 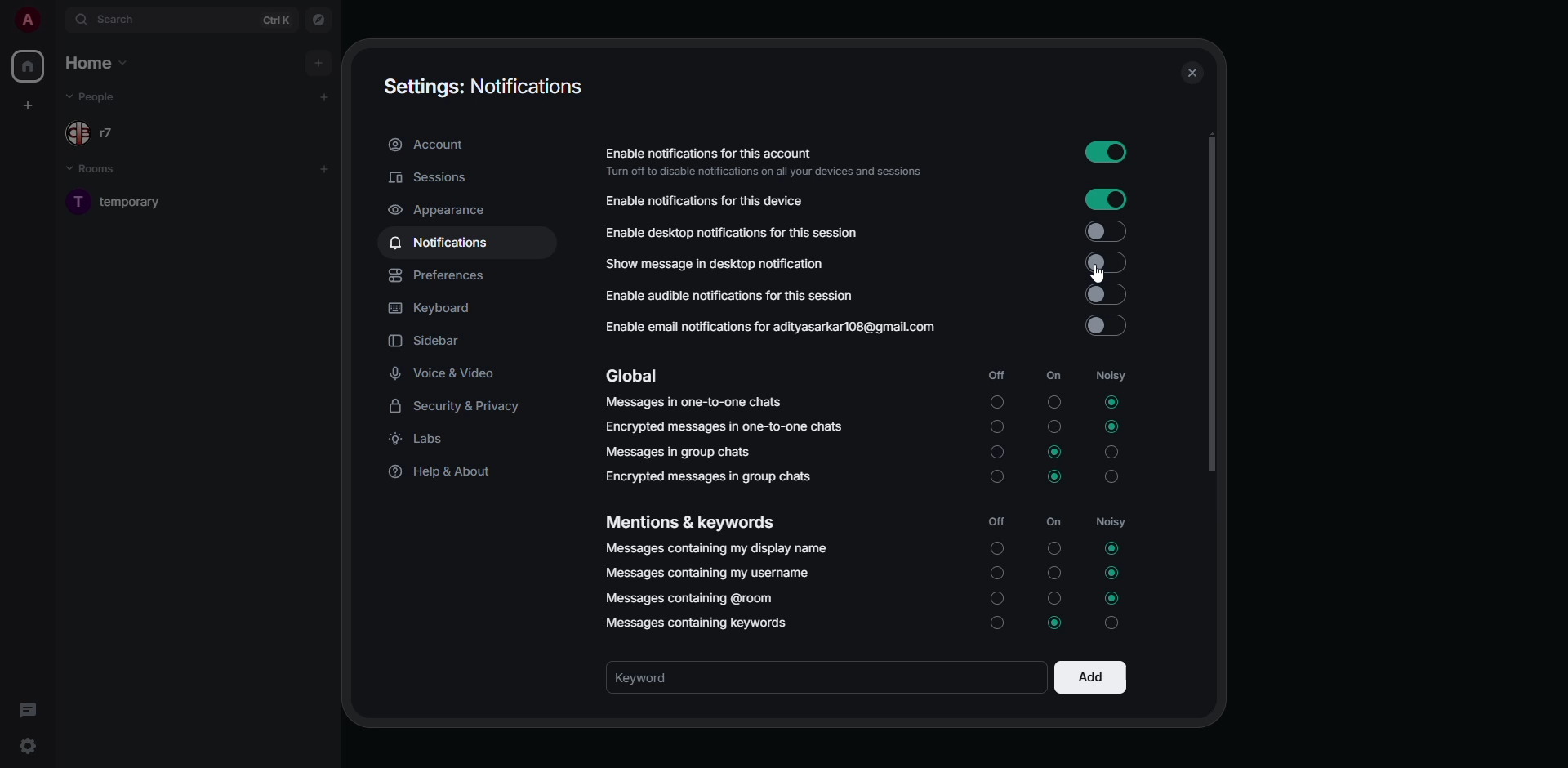 What do you see at coordinates (728, 297) in the screenshot?
I see `enable audible notifications` at bounding box center [728, 297].